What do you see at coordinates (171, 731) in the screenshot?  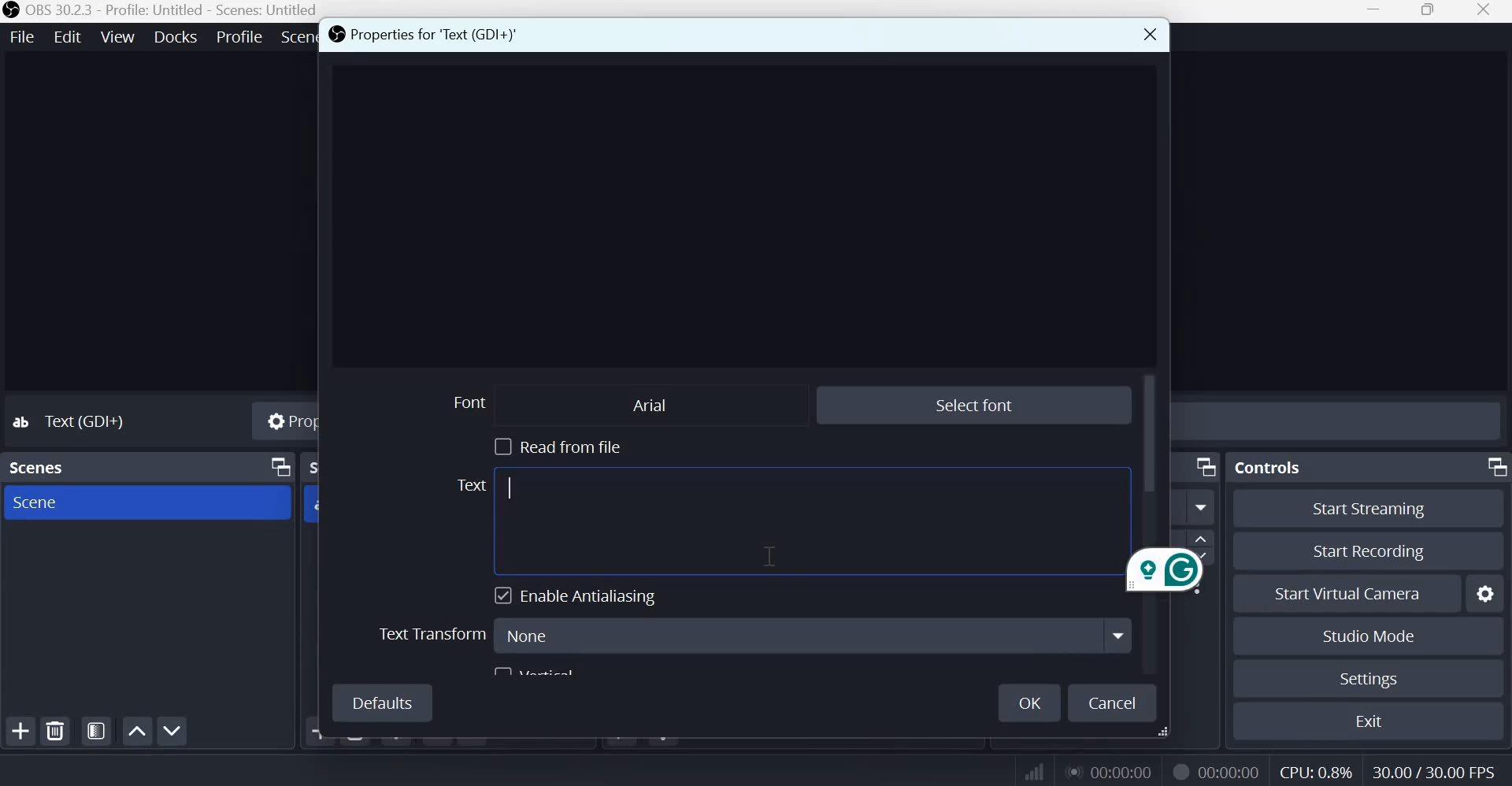 I see `Move scene up` at bounding box center [171, 731].